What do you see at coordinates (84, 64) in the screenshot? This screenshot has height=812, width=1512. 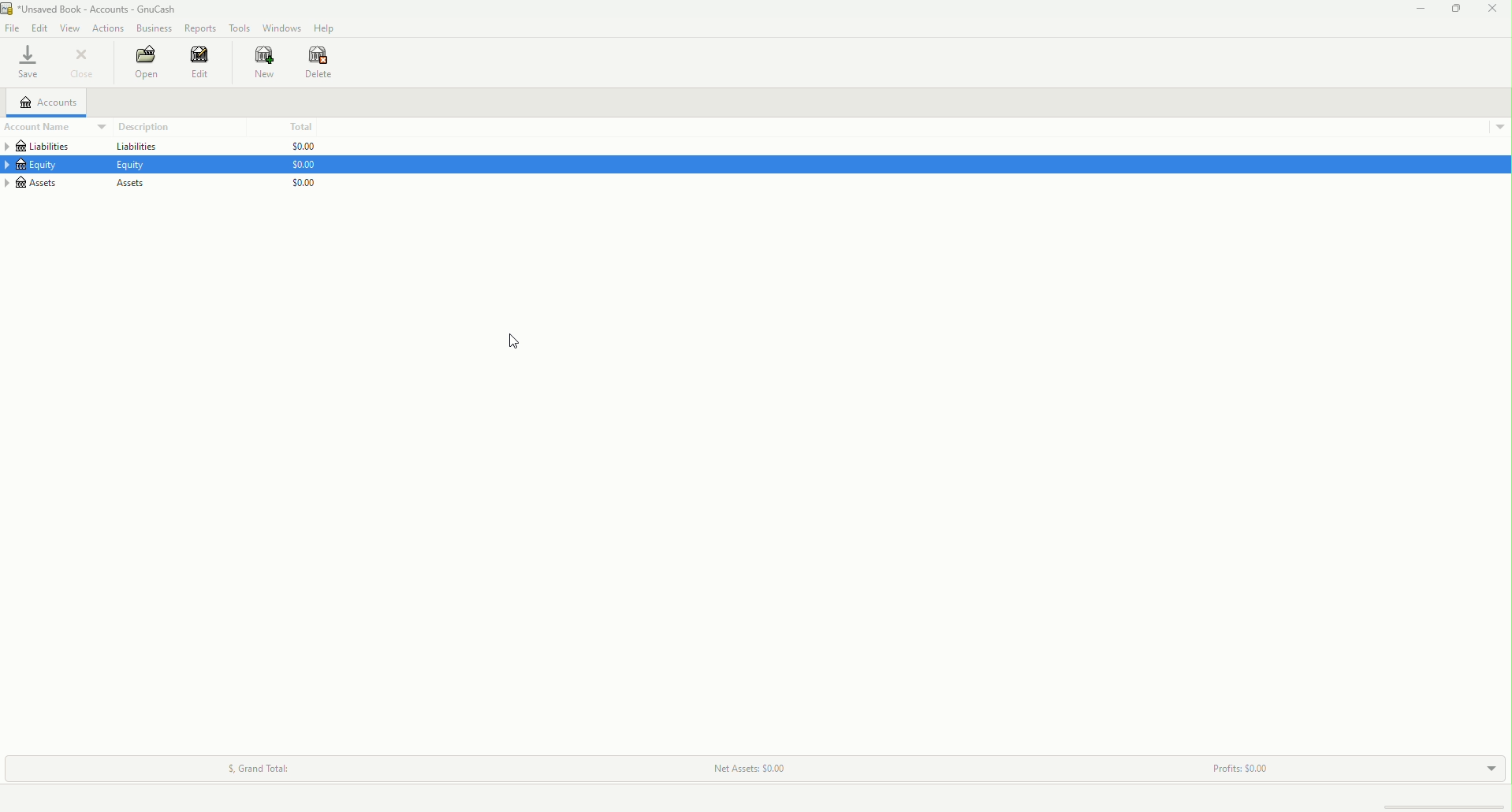 I see `Close` at bounding box center [84, 64].